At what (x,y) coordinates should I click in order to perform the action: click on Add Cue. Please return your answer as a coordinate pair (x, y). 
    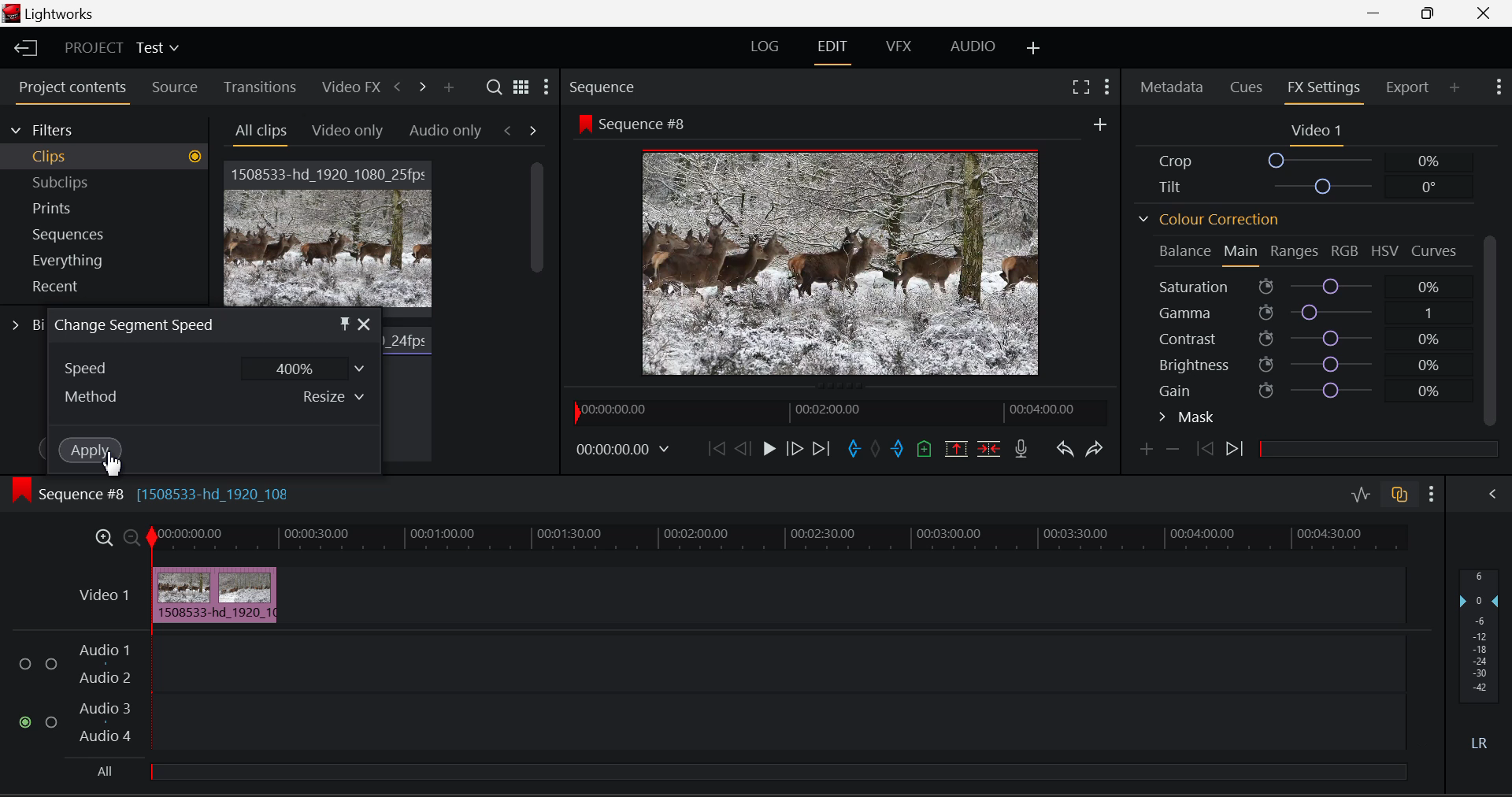
    Looking at the image, I should click on (925, 449).